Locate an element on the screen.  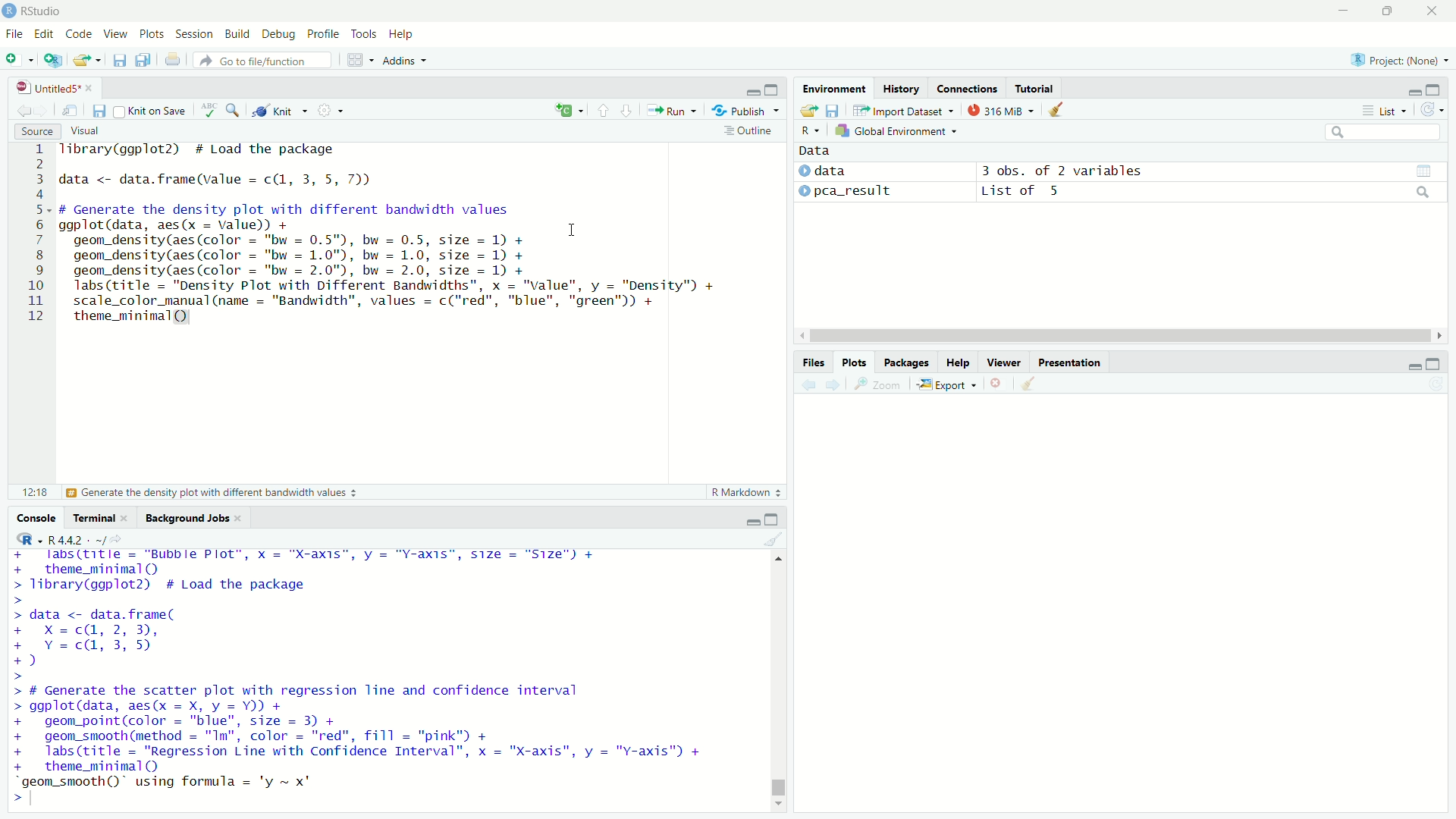
close is located at coordinates (124, 518).